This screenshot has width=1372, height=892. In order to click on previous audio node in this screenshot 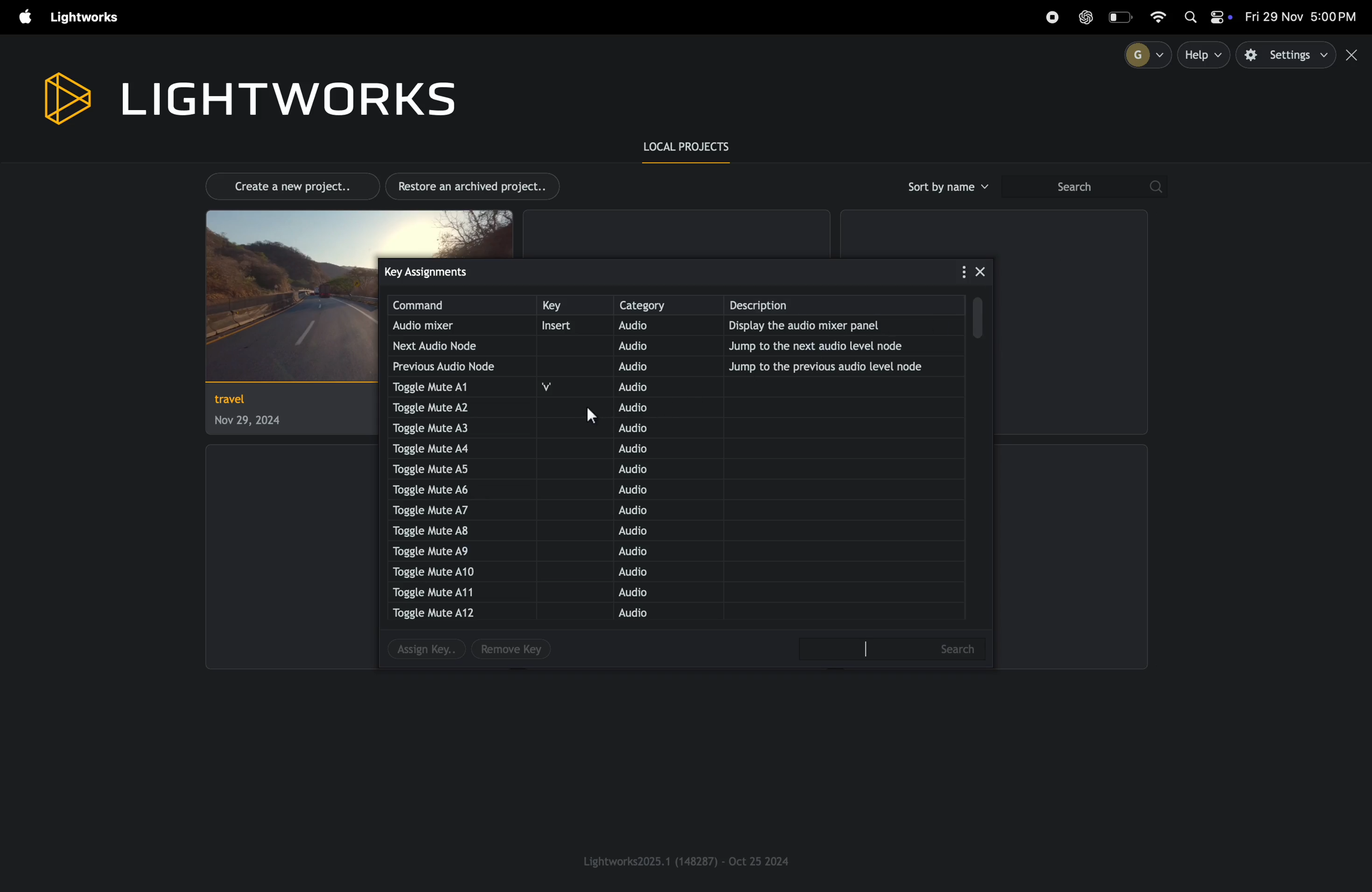, I will do `click(448, 366)`.